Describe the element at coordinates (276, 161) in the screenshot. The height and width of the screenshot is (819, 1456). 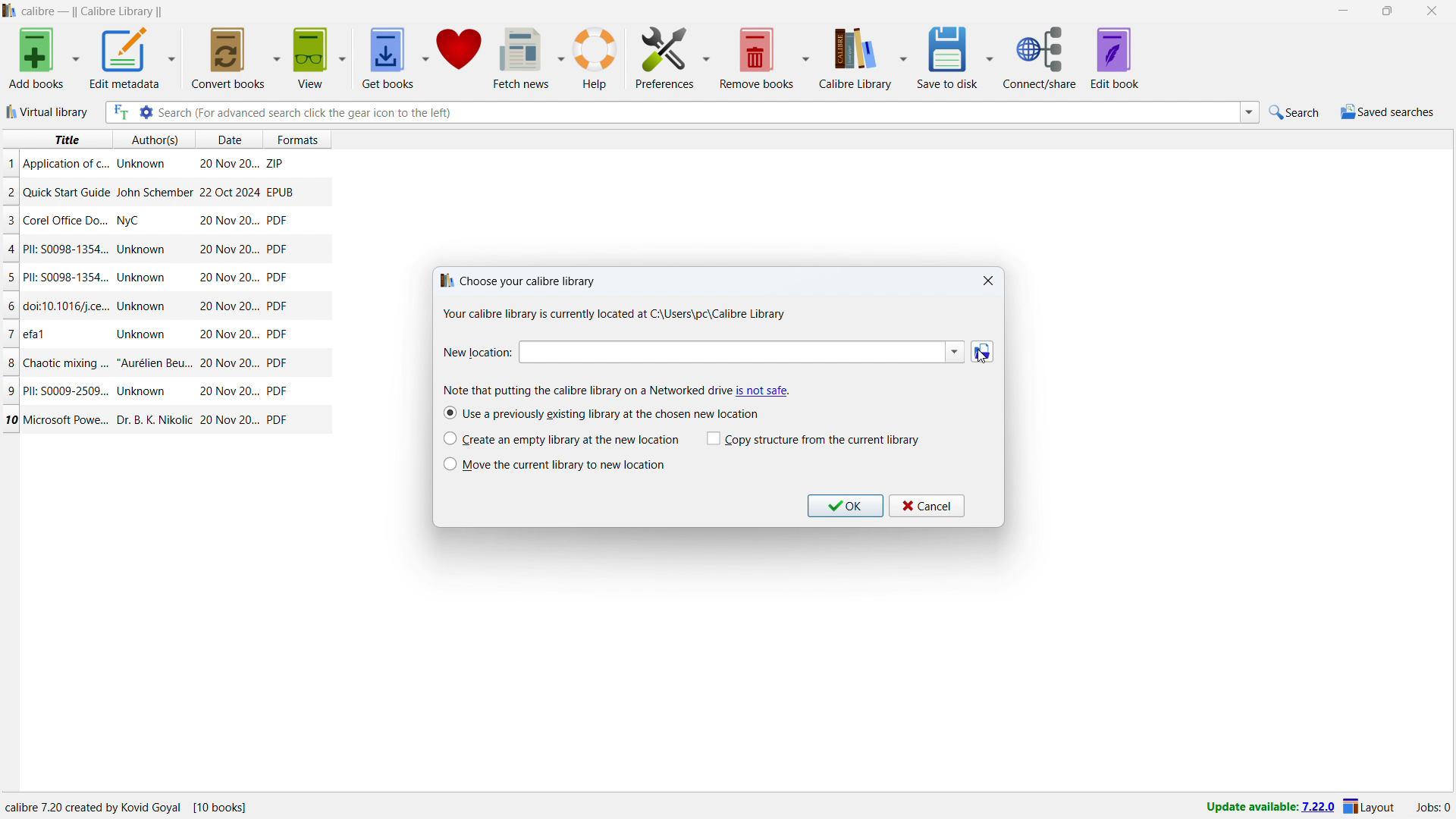
I see `ZIP` at that location.